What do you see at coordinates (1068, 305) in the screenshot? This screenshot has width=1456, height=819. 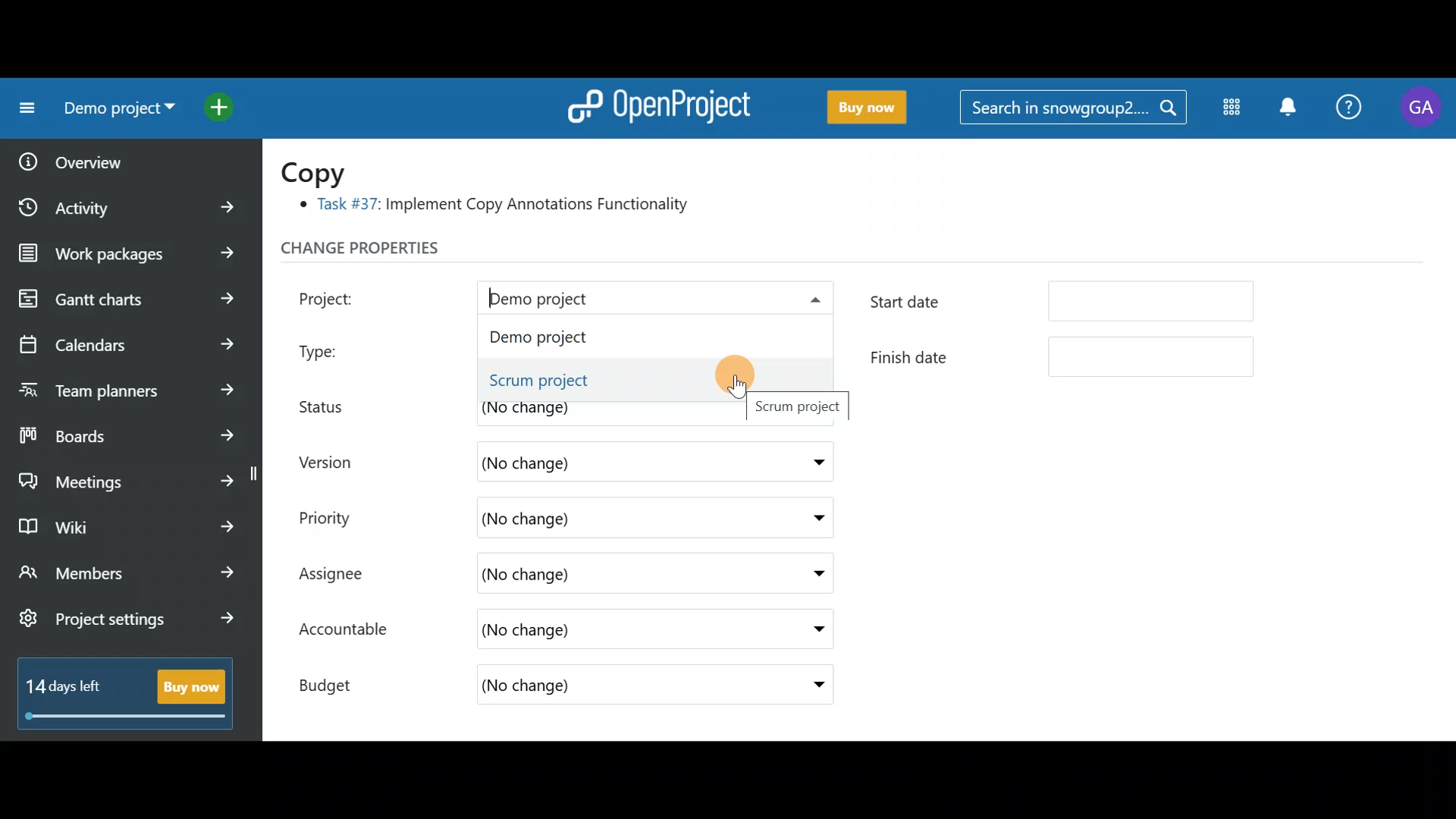 I see `Start date` at bounding box center [1068, 305].